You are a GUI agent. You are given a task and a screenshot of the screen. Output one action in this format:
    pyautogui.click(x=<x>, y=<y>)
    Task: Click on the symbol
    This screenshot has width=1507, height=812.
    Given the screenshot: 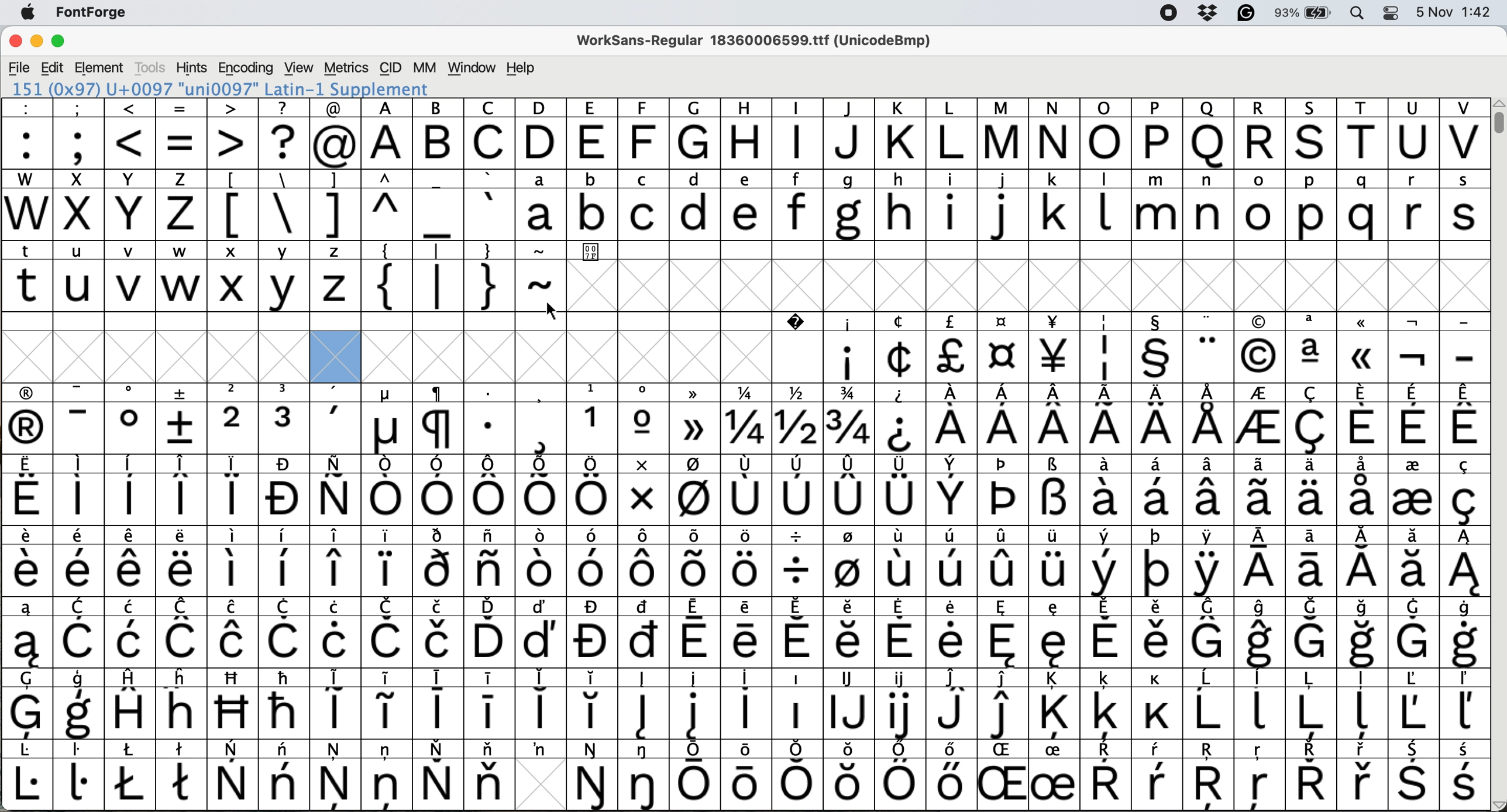 What is the action you would take?
    pyautogui.click(x=749, y=773)
    